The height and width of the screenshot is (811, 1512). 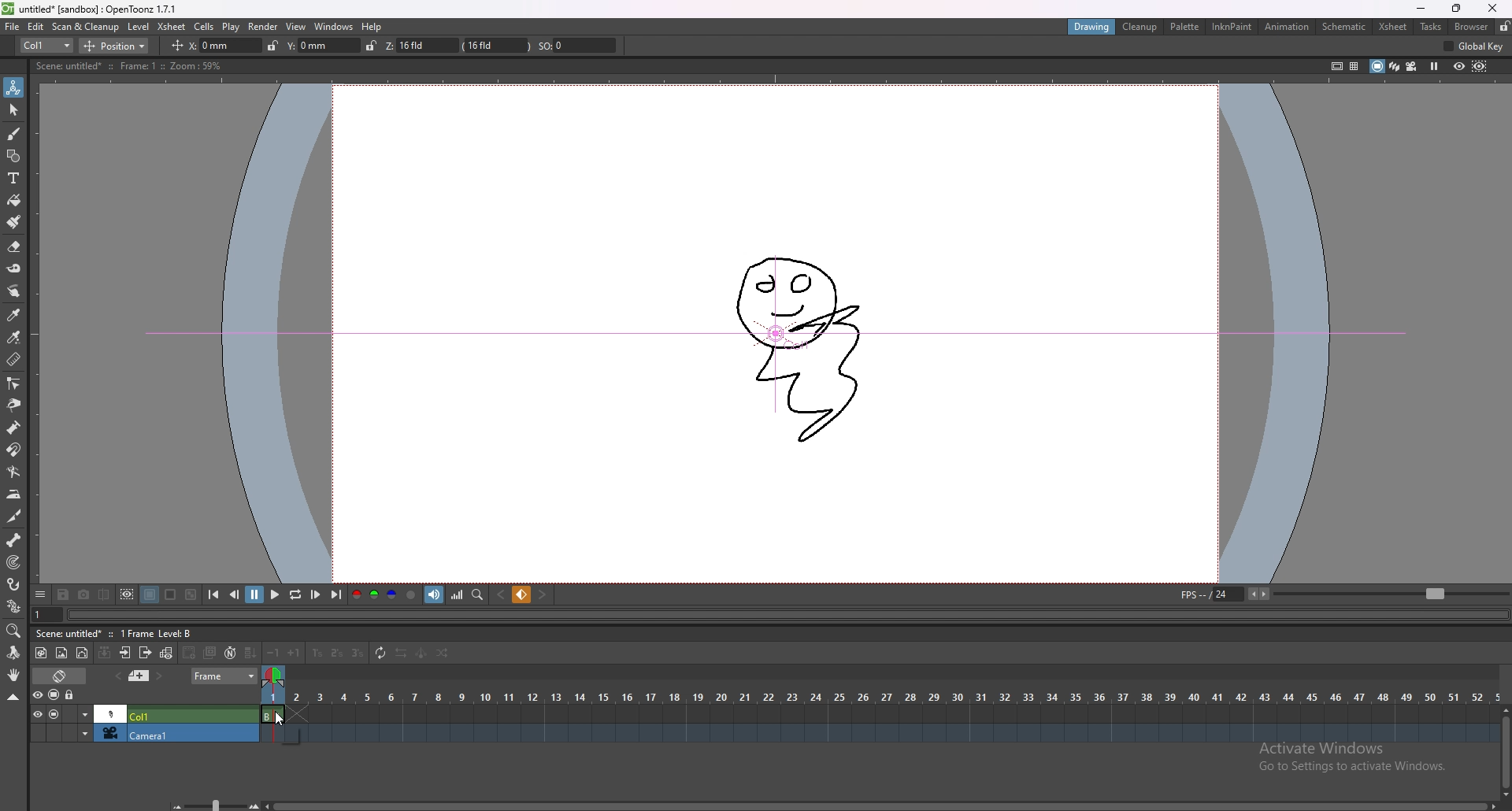 What do you see at coordinates (1422, 9) in the screenshot?
I see `minimize` at bounding box center [1422, 9].